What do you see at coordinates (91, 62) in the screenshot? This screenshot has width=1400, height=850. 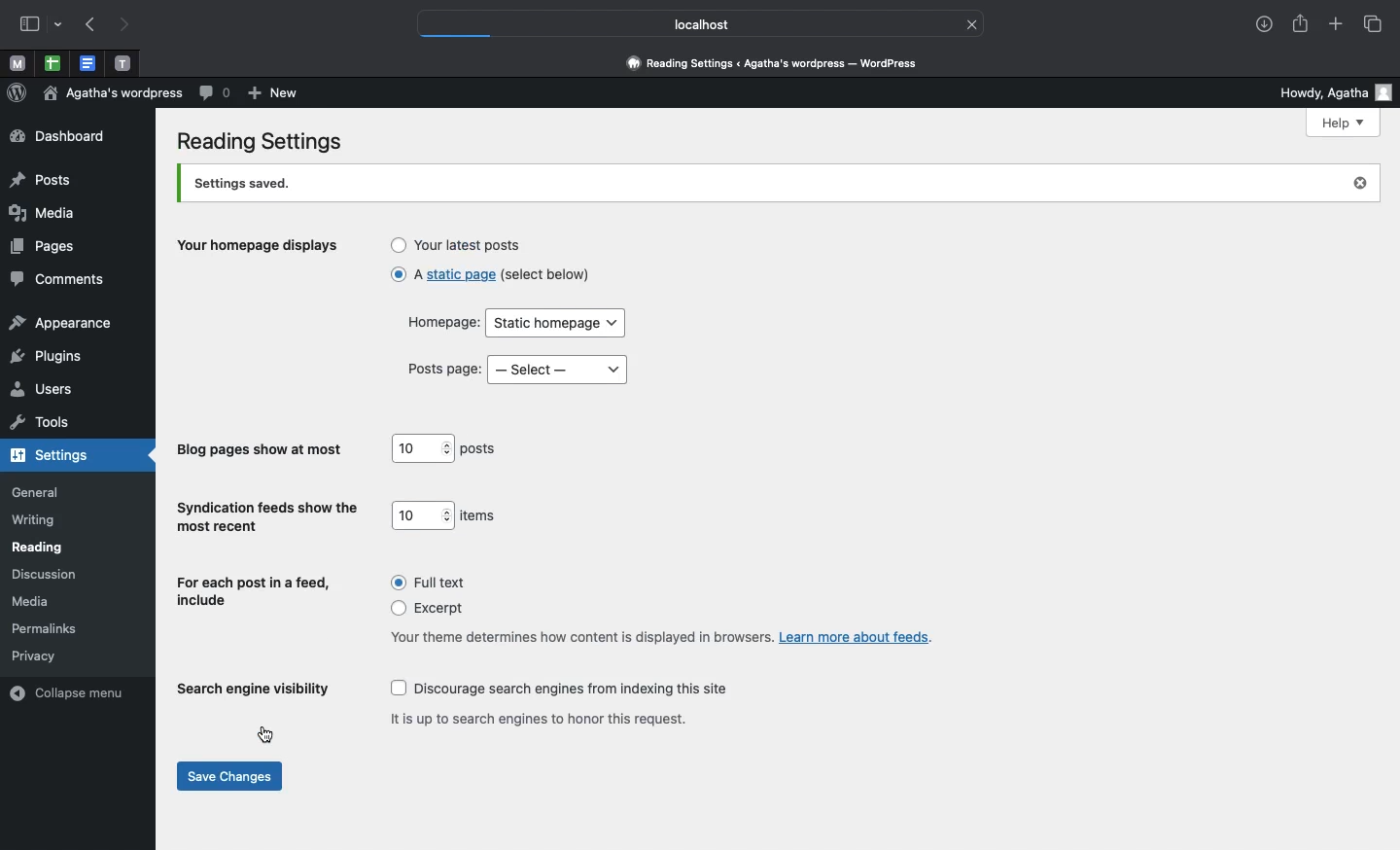 I see `Pinned tabs` at bounding box center [91, 62].